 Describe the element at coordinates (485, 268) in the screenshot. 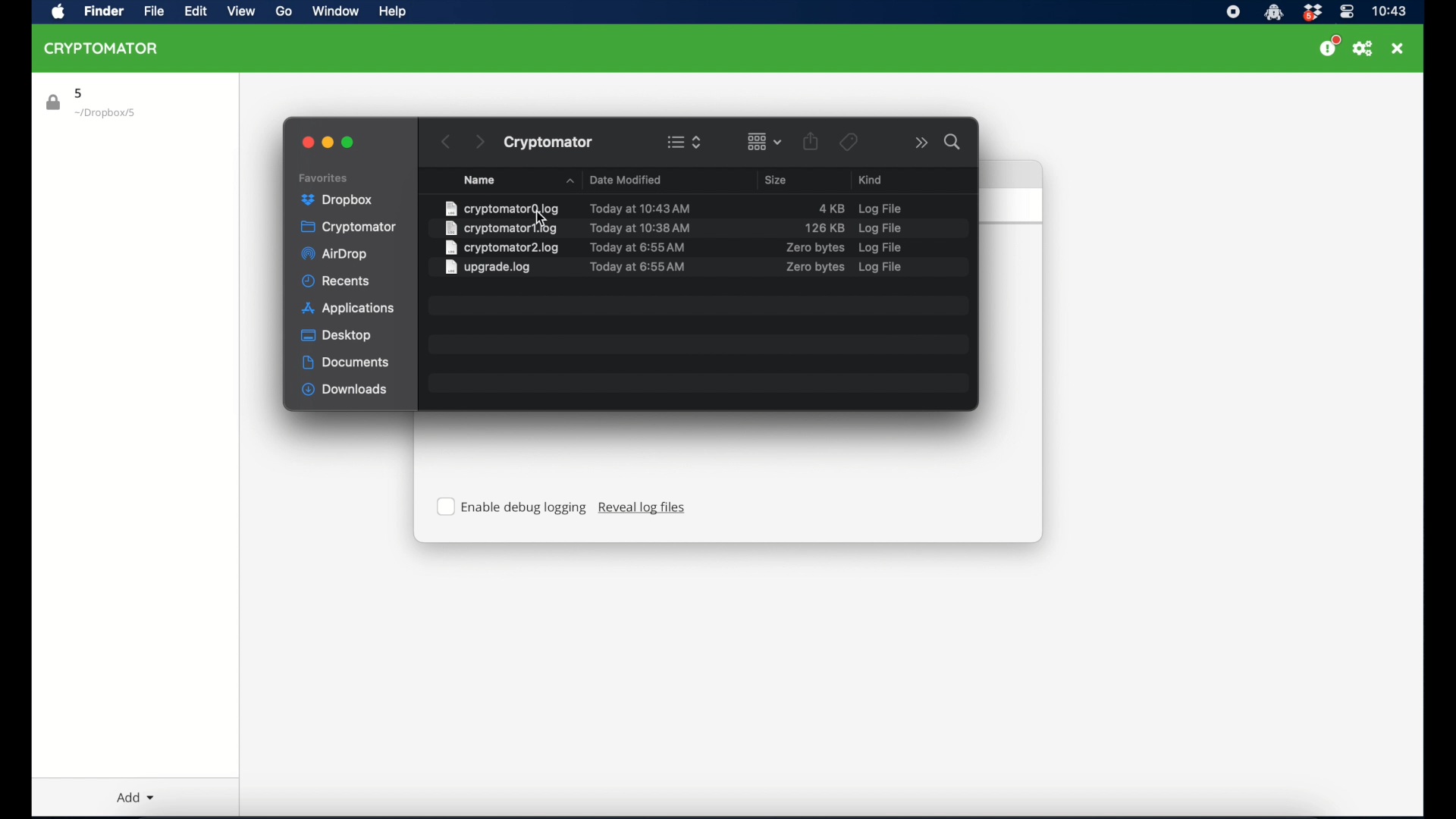

I see `file` at that location.